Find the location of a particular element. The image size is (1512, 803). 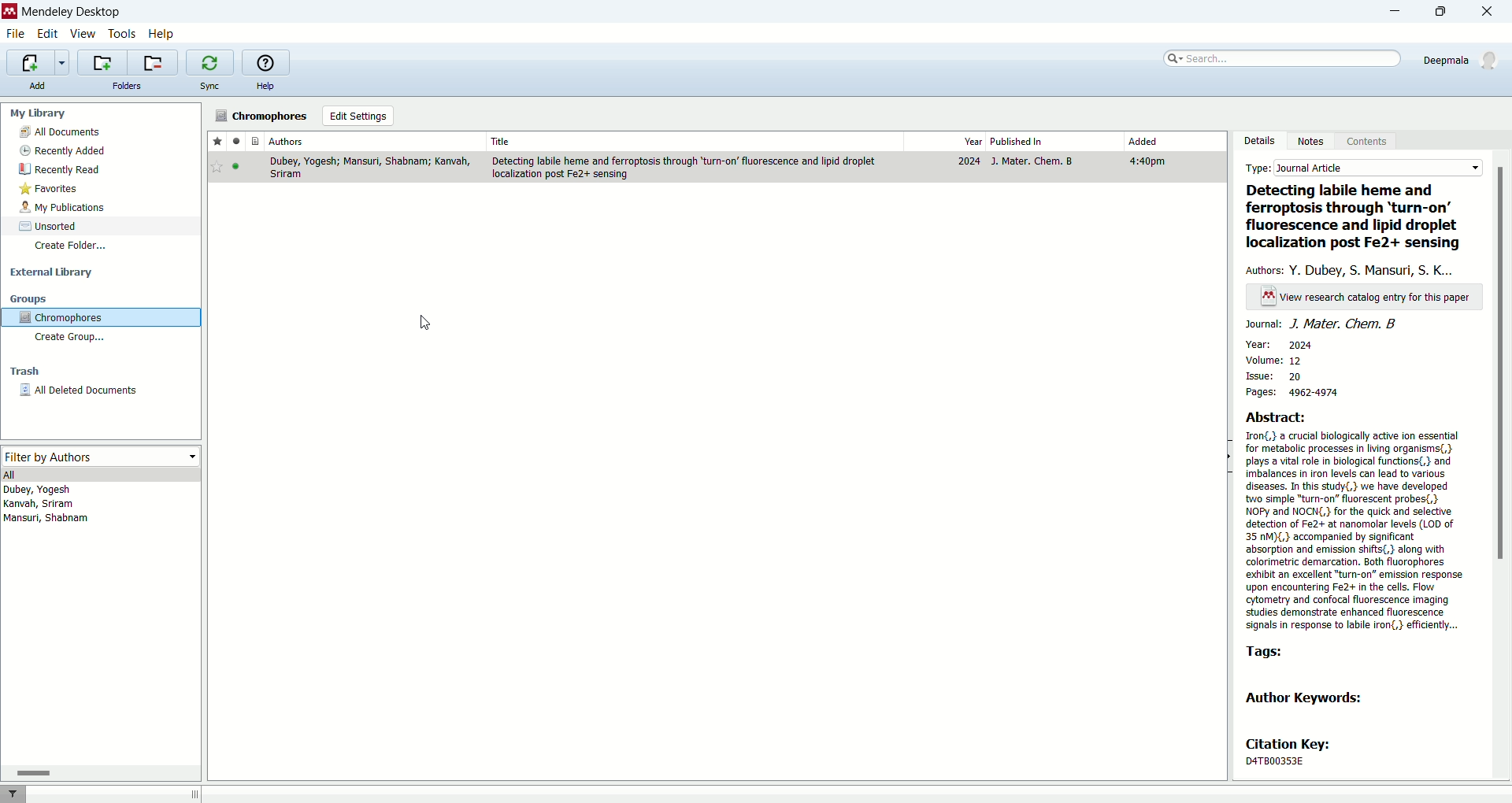

favorite is located at coordinates (217, 142).